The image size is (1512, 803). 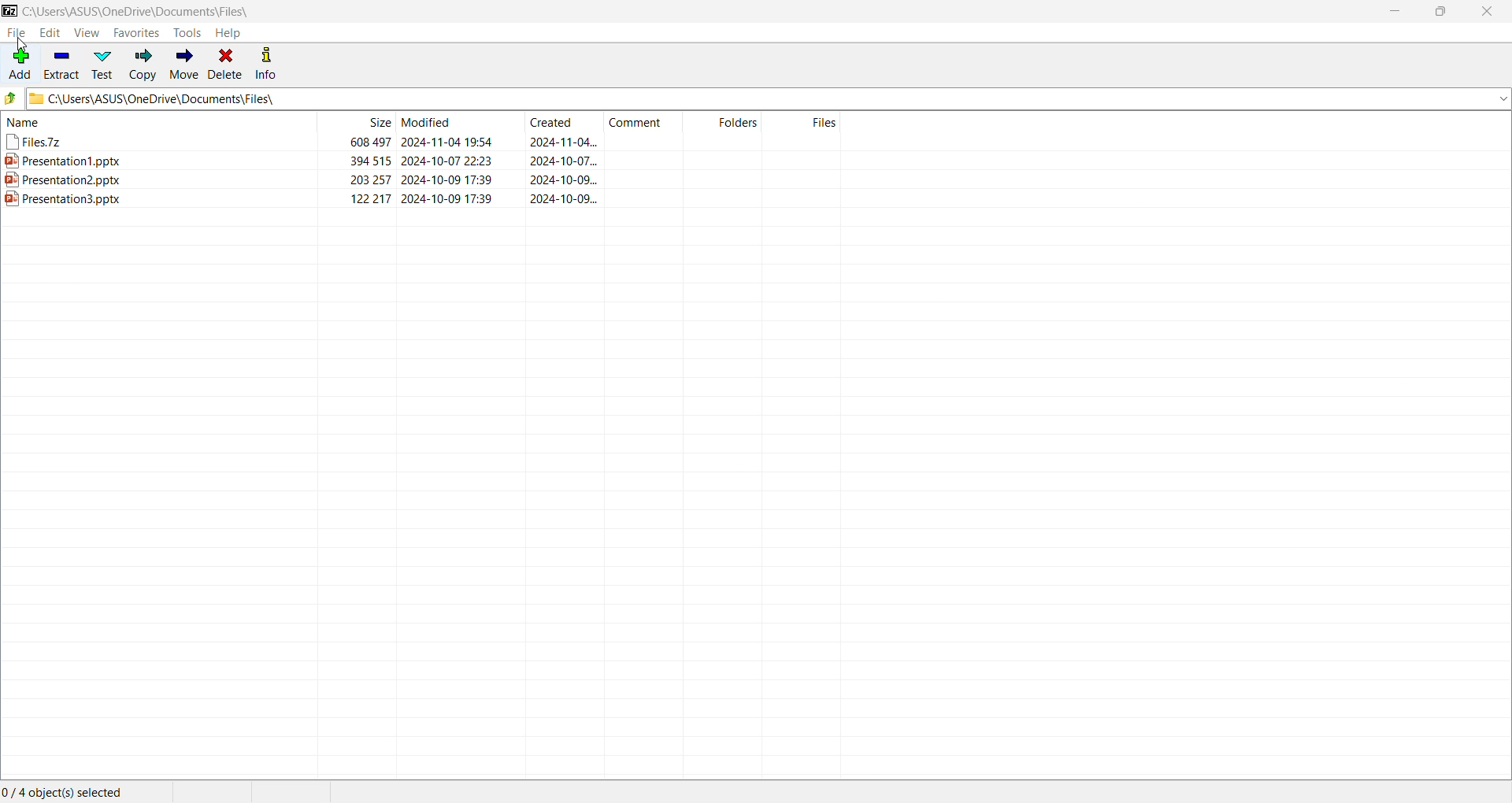 What do you see at coordinates (13, 98) in the screenshot?
I see `Move Up one level` at bounding box center [13, 98].